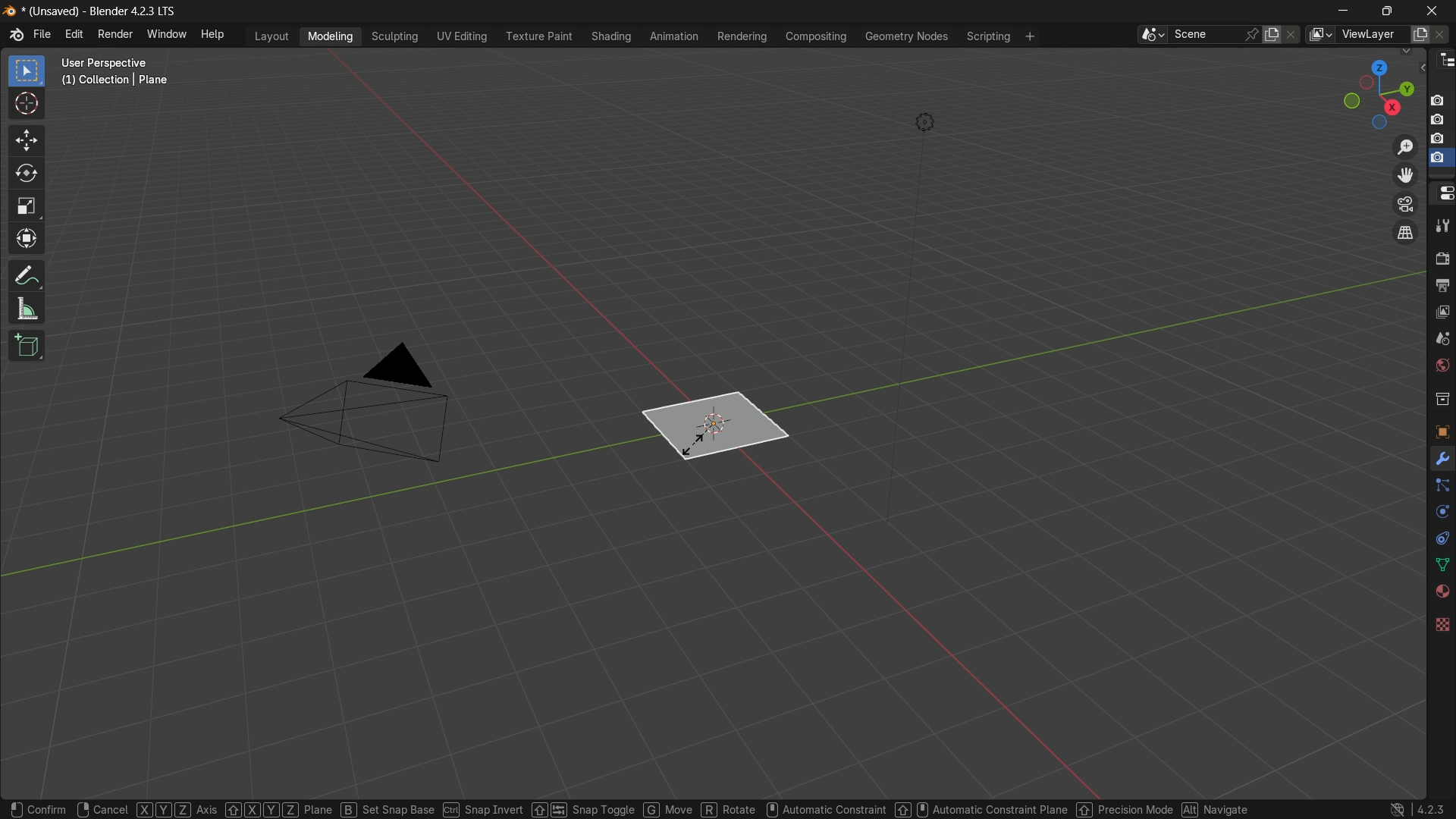  Describe the element at coordinates (1251, 36) in the screenshot. I see `pin scene to workplace` at that location.